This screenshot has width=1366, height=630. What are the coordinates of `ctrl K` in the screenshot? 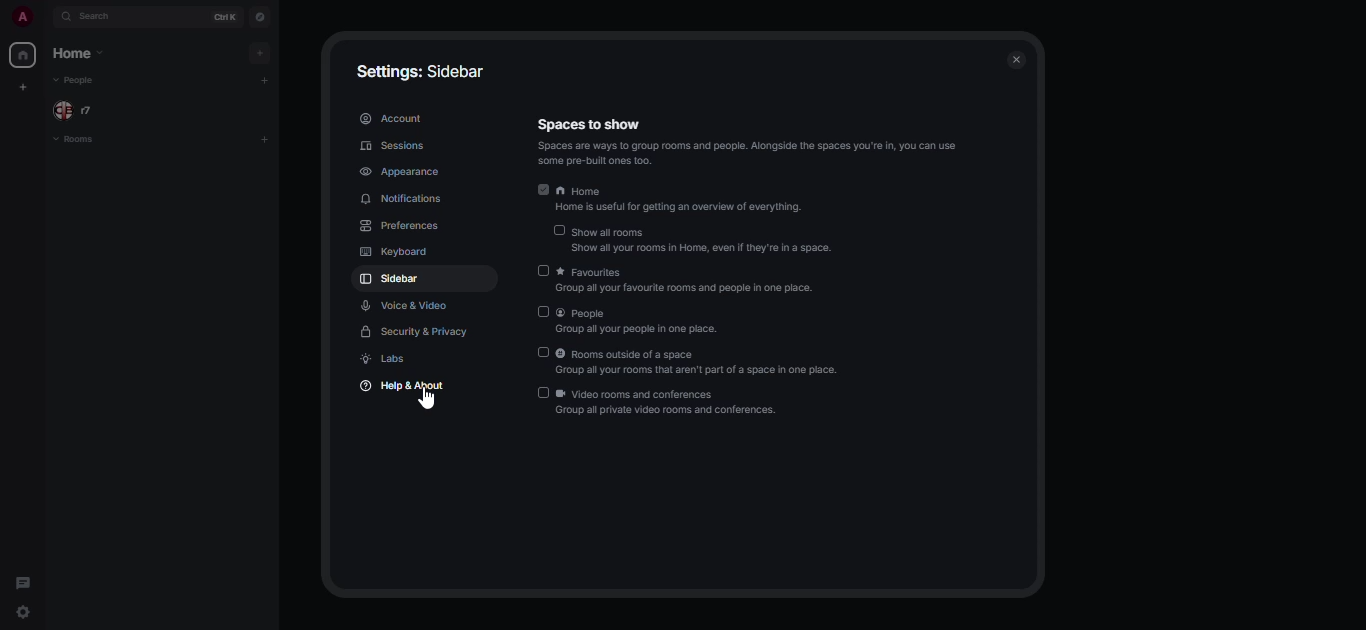 It's located at (224, 15).